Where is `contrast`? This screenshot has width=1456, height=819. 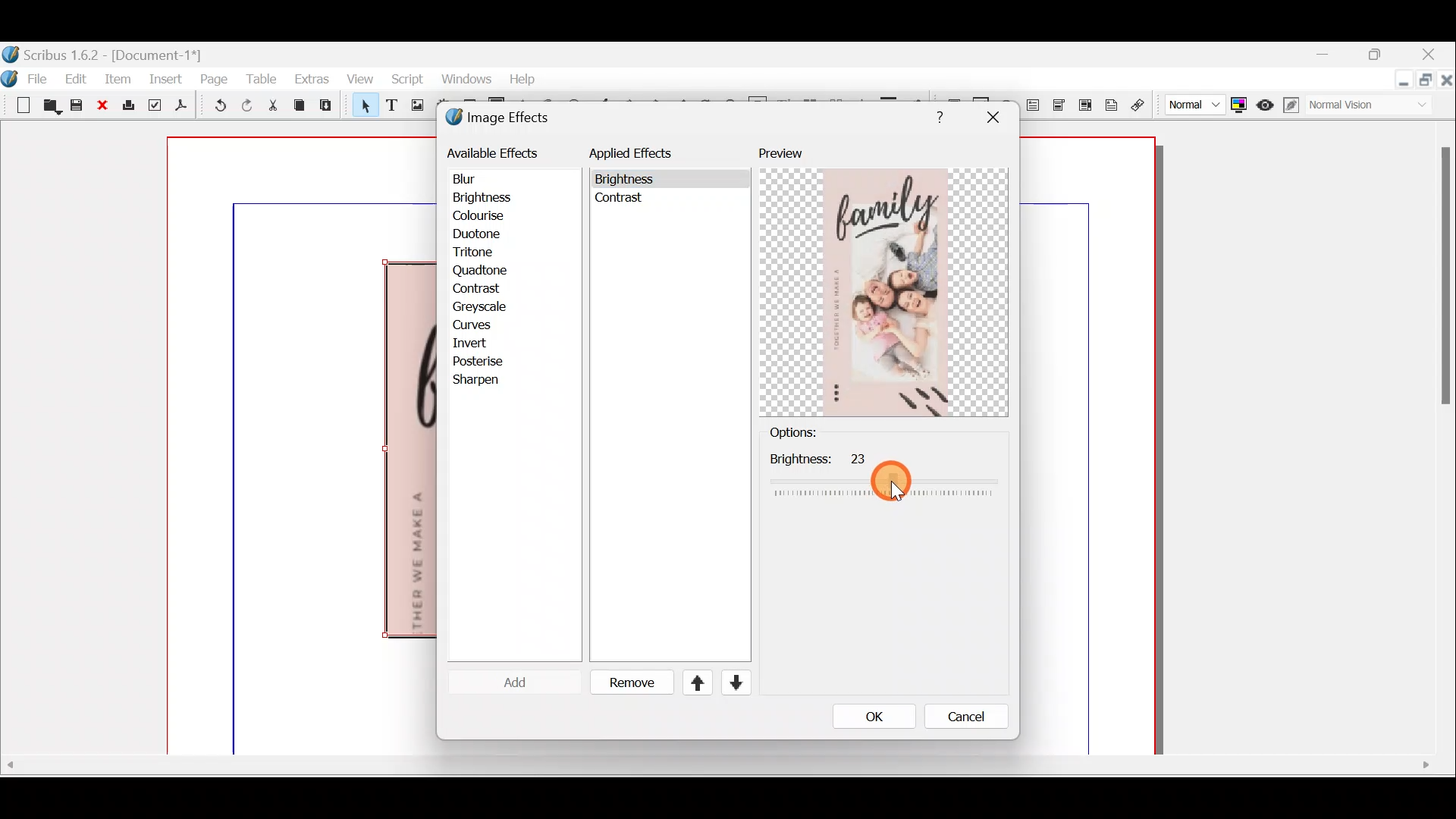
contrast is located at coordinates (622, 202).